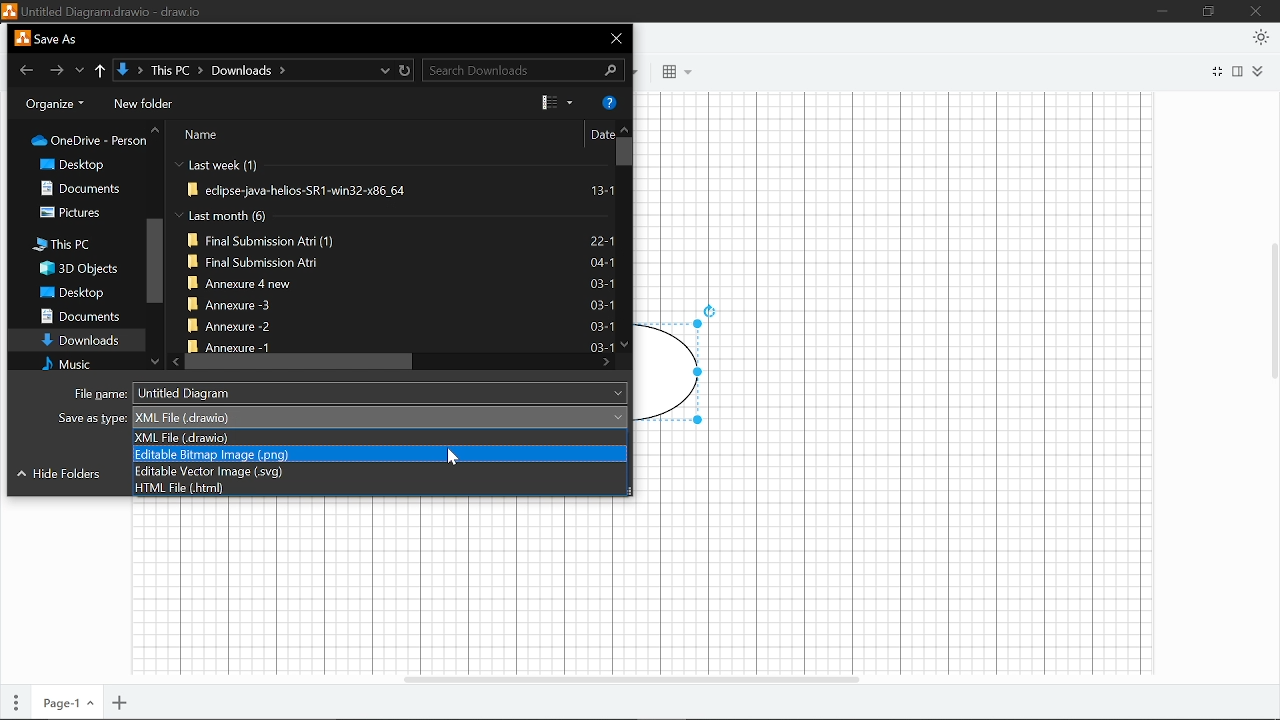  Describe the element at coordinates (219, 71) in the screenshot. I see `Path of the current location` at that location.